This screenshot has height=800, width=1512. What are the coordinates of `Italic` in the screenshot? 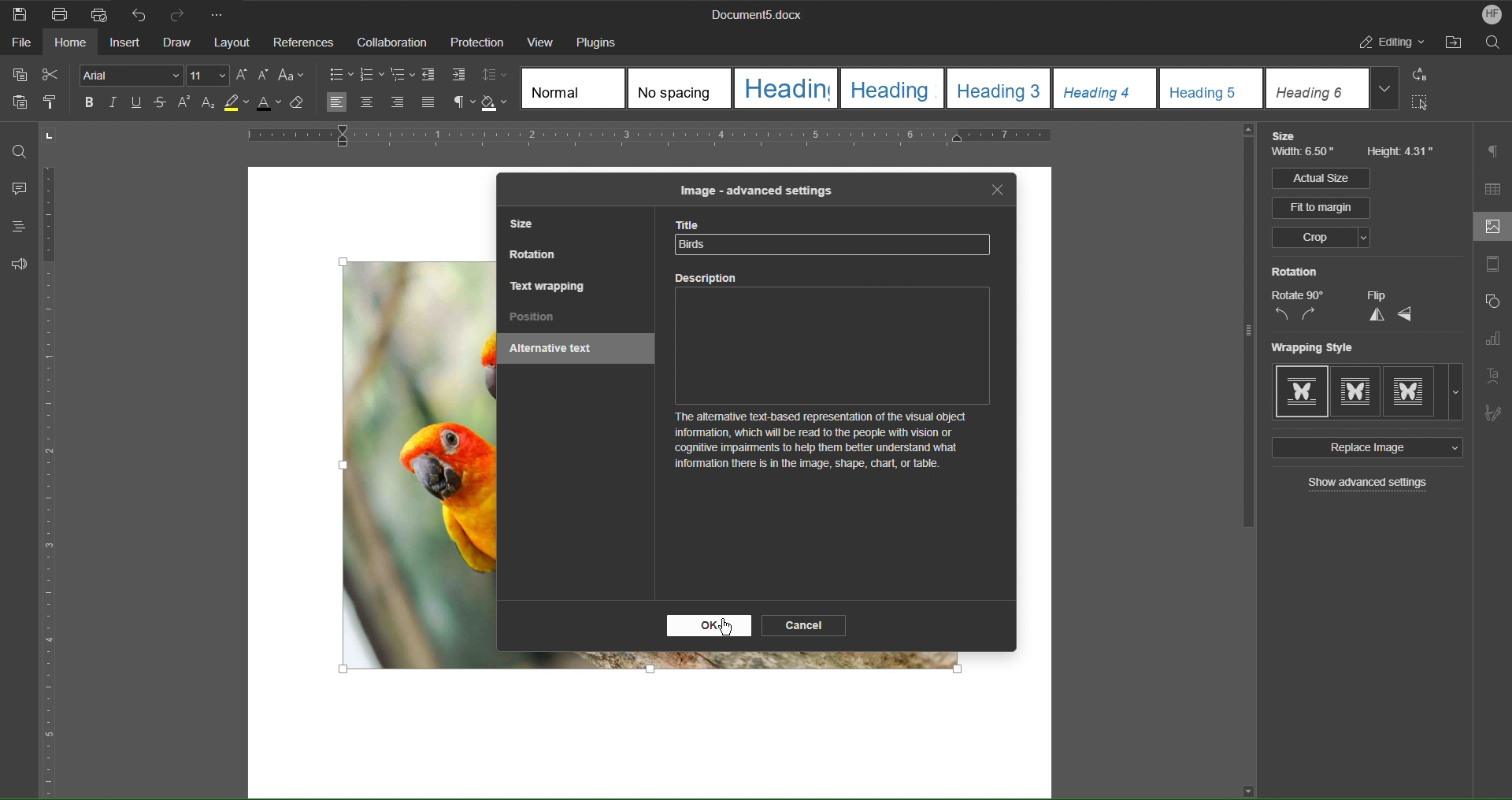 It's located at (113, 103).